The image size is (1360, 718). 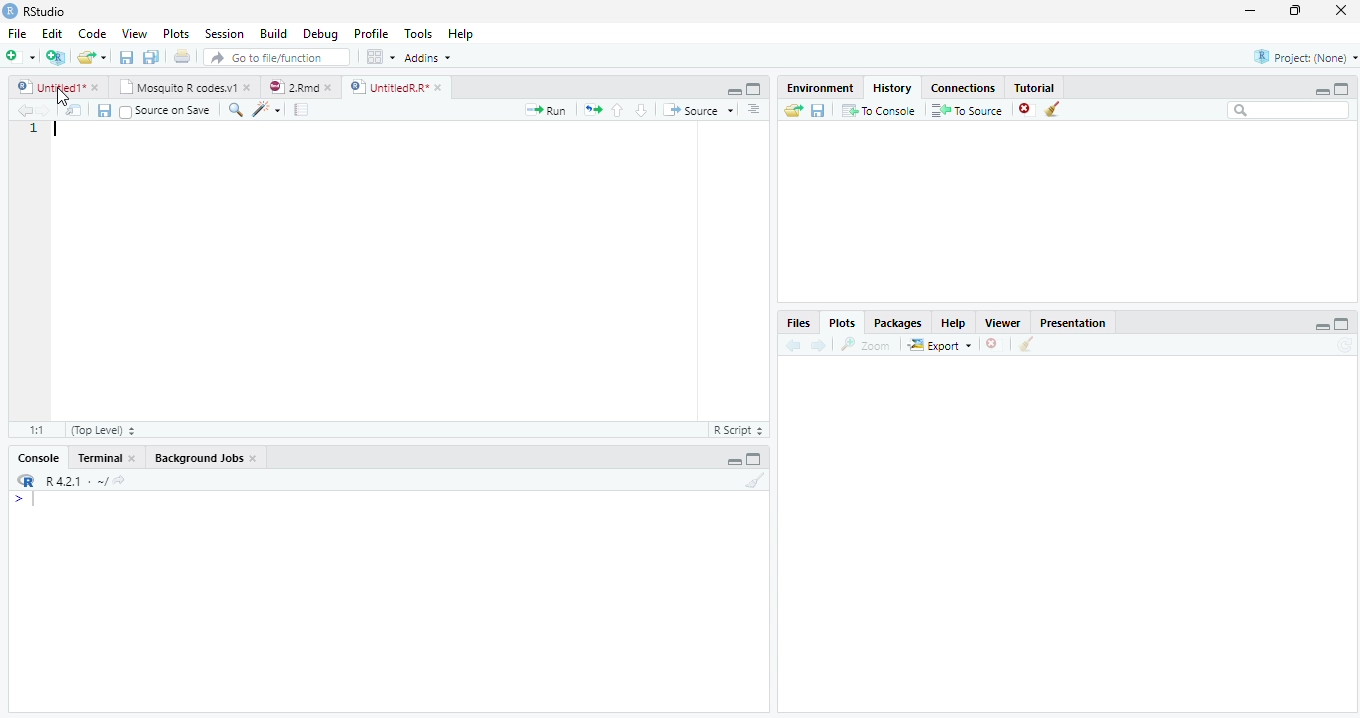 What do you see at coordinates (959, 324) in the screenshot?
I see `Help ` at bounding box center [959, 324].